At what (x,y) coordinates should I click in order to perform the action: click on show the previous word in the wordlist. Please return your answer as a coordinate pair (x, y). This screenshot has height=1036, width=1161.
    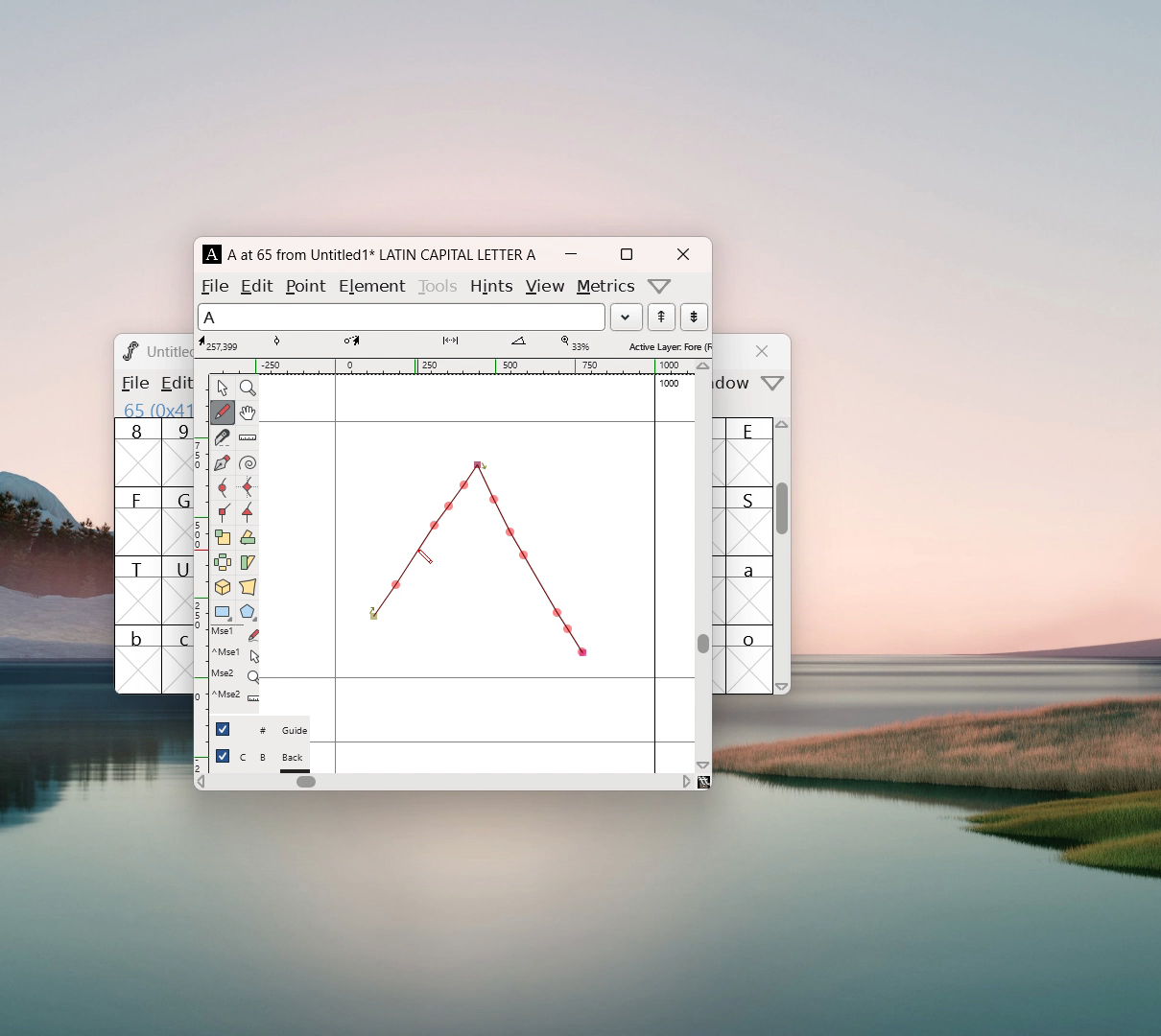
    Looking at the image, I should click on (694, 317).